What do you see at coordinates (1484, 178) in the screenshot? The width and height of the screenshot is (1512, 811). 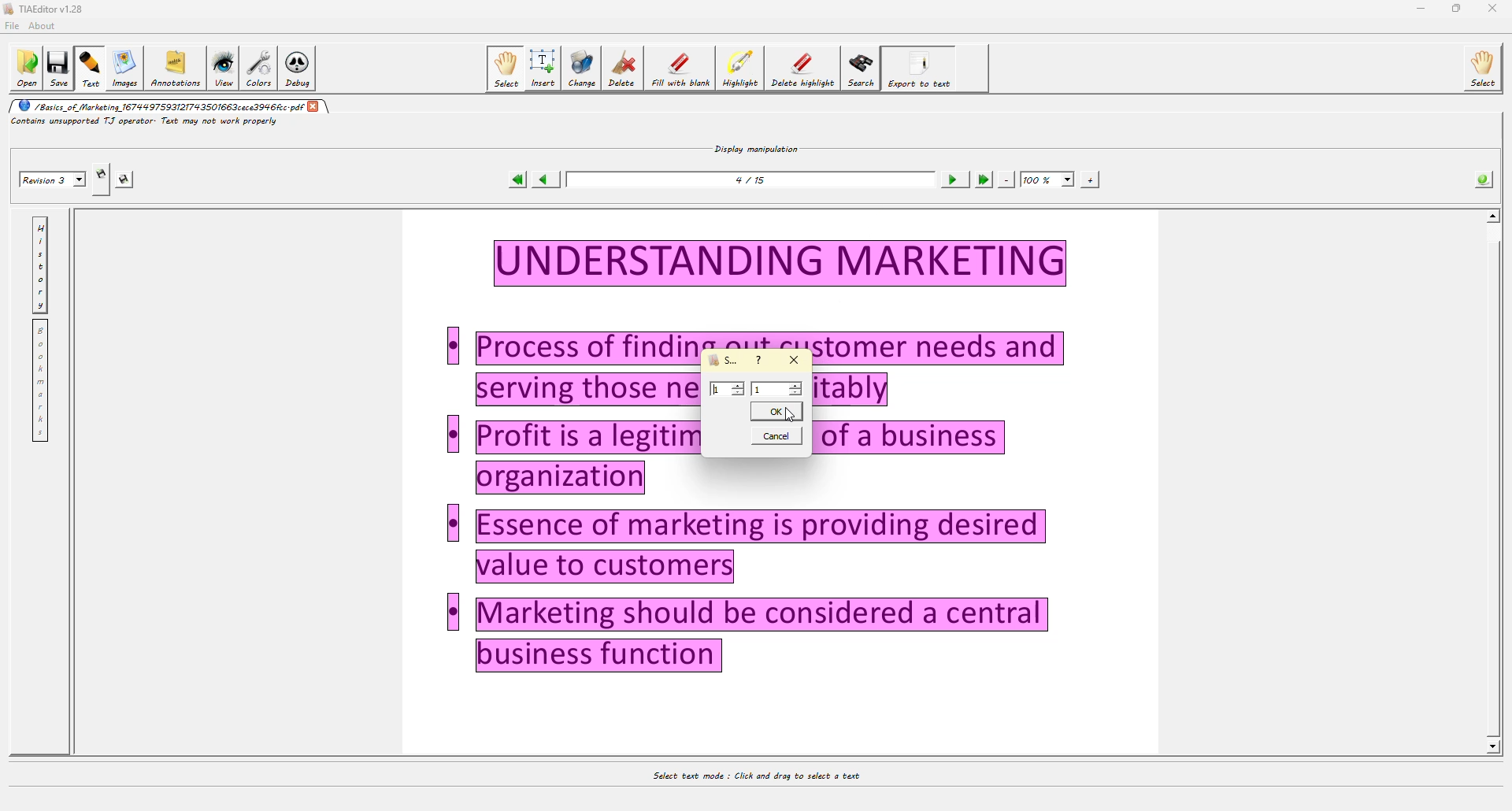 I see `info about the pdf` at bounding box center [1484, 178].